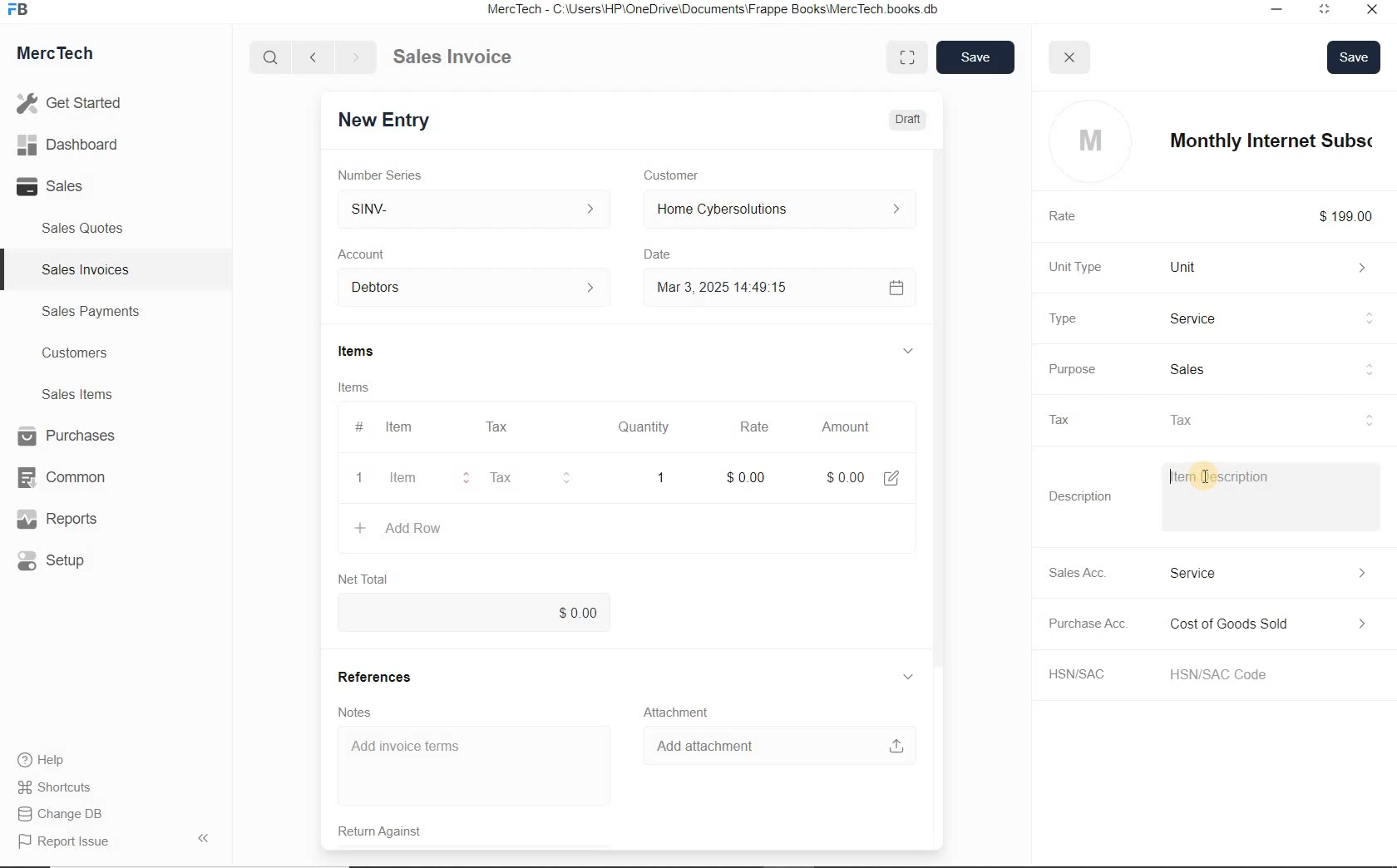 The width and height of the screenshot is (1397, 868). I want to click on Home Cyber Solutions, so click(774, 210).